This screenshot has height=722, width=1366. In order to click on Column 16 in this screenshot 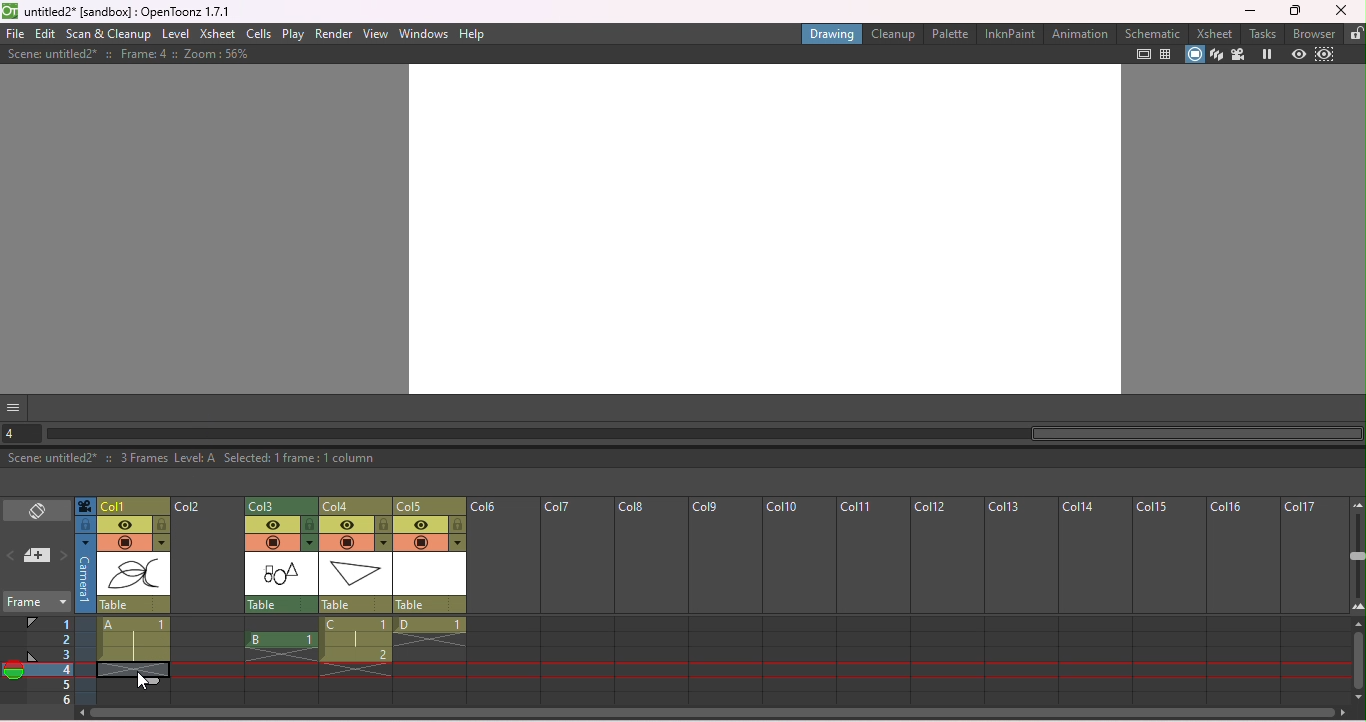, I will do `click(1241, 601)`.